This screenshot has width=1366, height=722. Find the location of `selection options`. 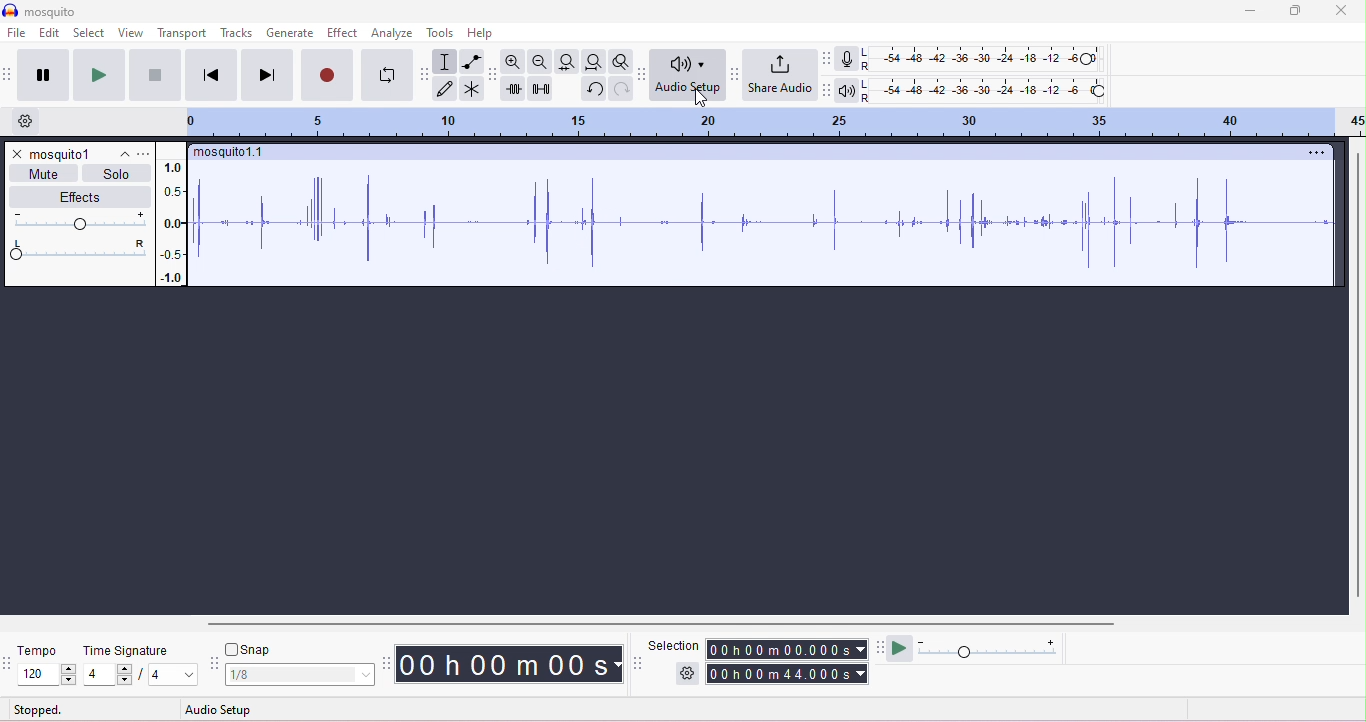

selection options is located at coordinates (688, 672).